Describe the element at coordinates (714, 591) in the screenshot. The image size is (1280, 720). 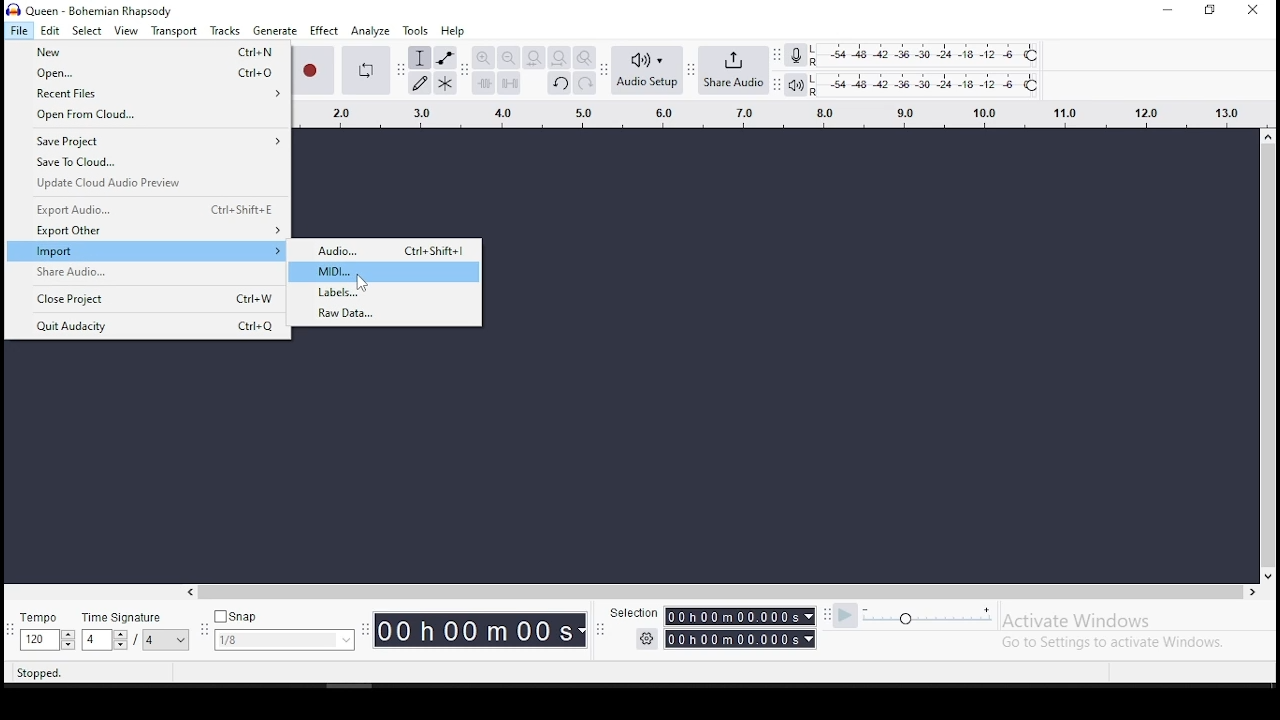
I see `scroll bar` at that location.